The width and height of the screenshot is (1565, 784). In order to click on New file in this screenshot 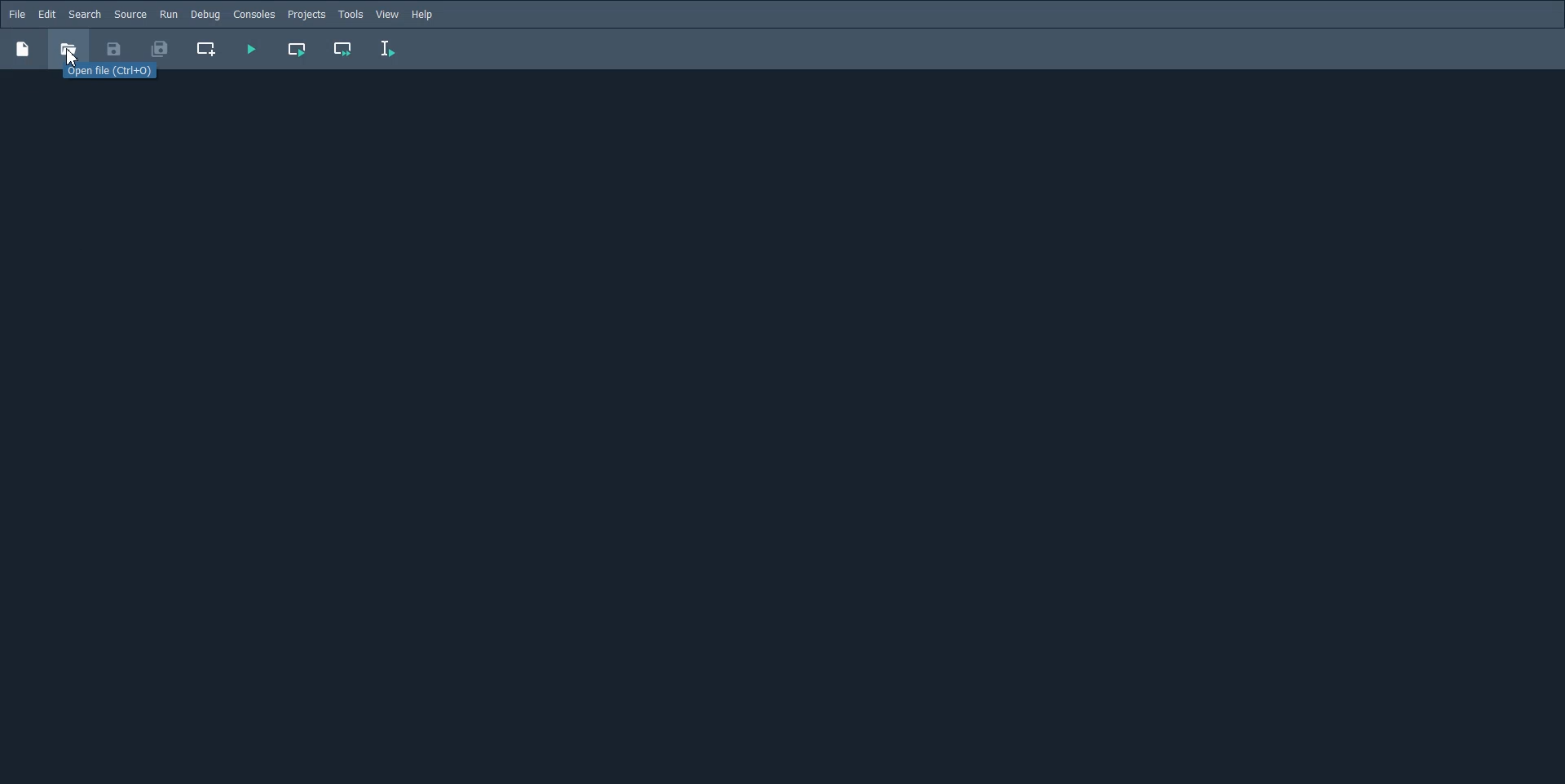, I will do `click(22, 48)`.